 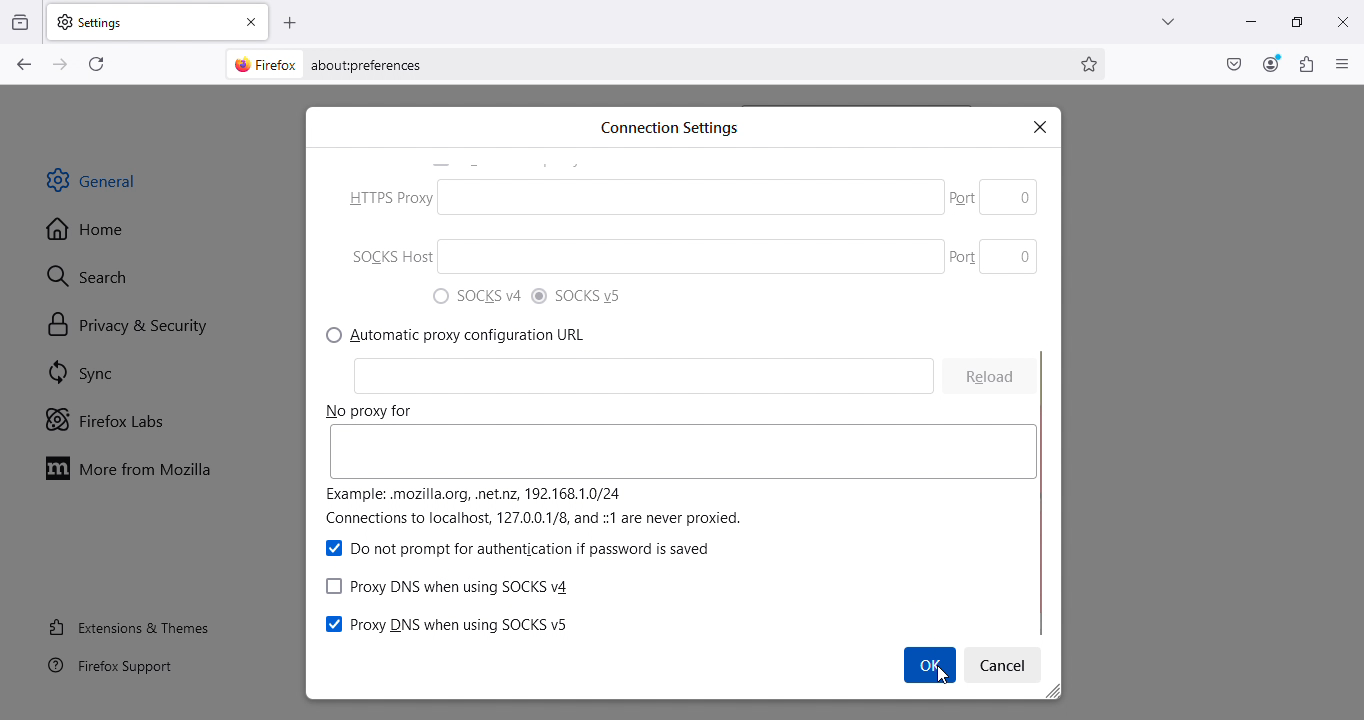 What do you see at coordinates (1162, 21) in the screenshot?
I see `List all tabs` at bounding box center [1162, 21].